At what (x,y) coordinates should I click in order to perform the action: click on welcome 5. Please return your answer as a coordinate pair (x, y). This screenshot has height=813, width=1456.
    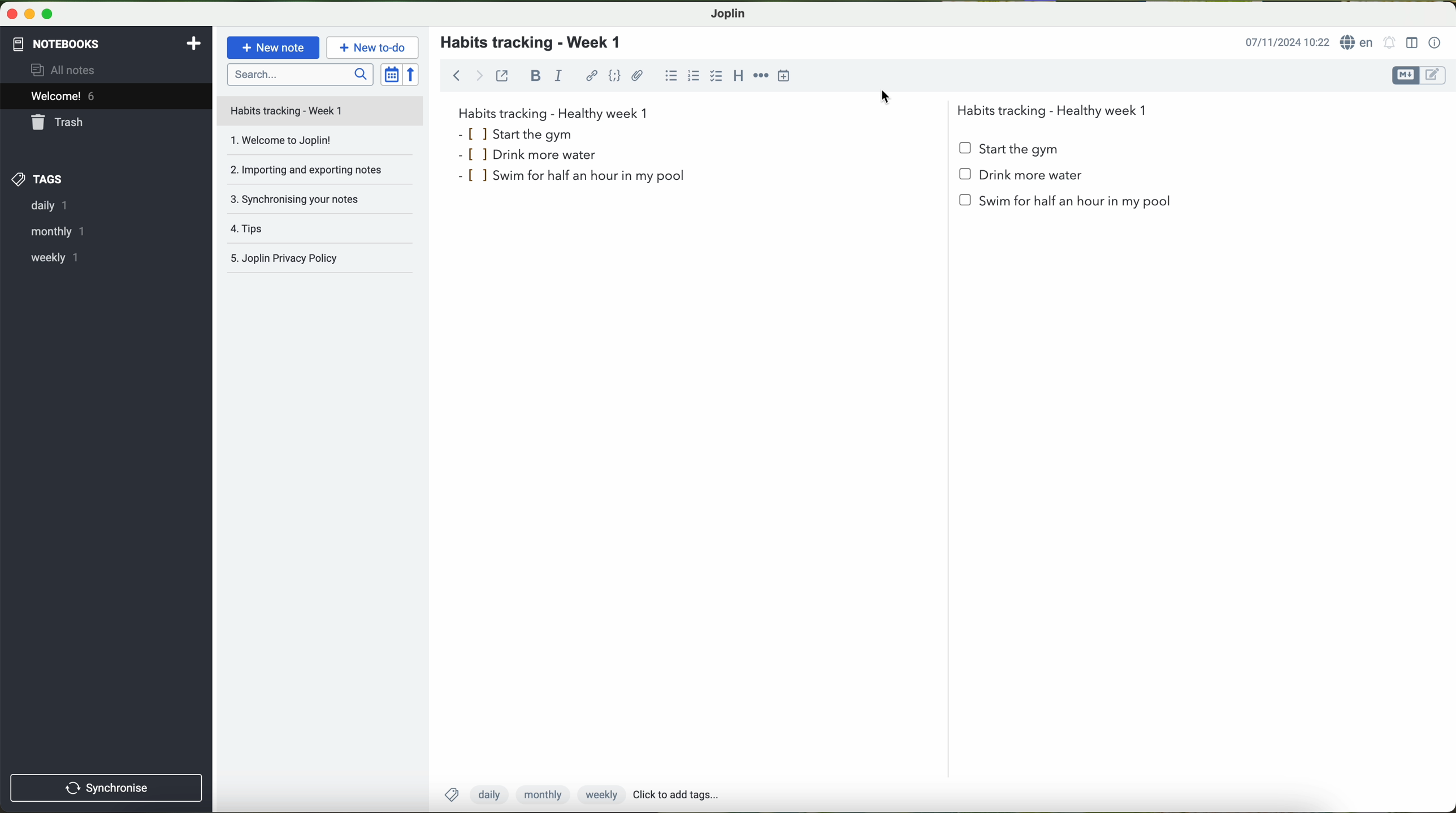
    Looking at the image, I should click on (63, 96).